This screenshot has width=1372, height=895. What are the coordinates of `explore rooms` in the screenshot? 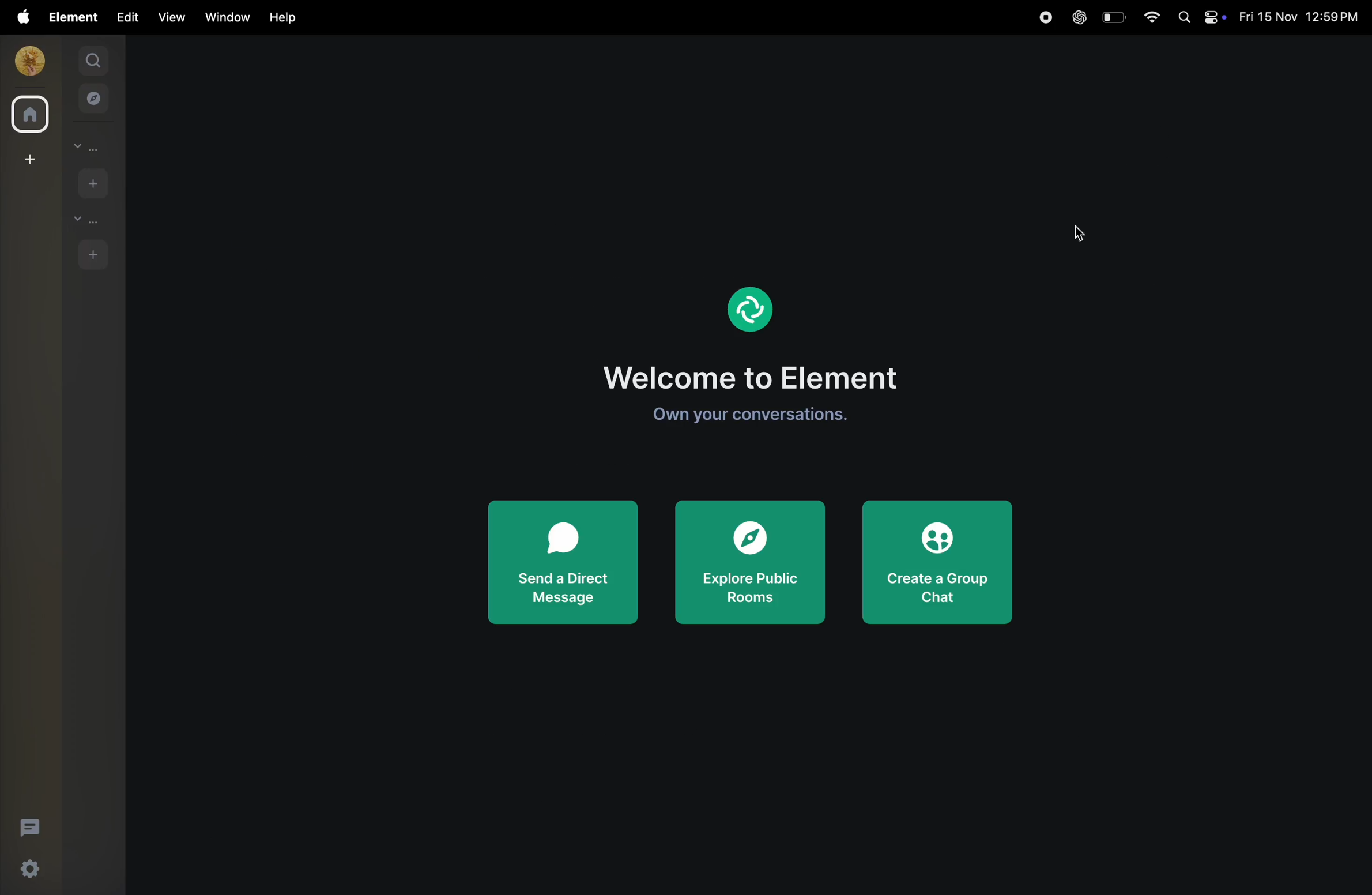 It's located at (750, 564).